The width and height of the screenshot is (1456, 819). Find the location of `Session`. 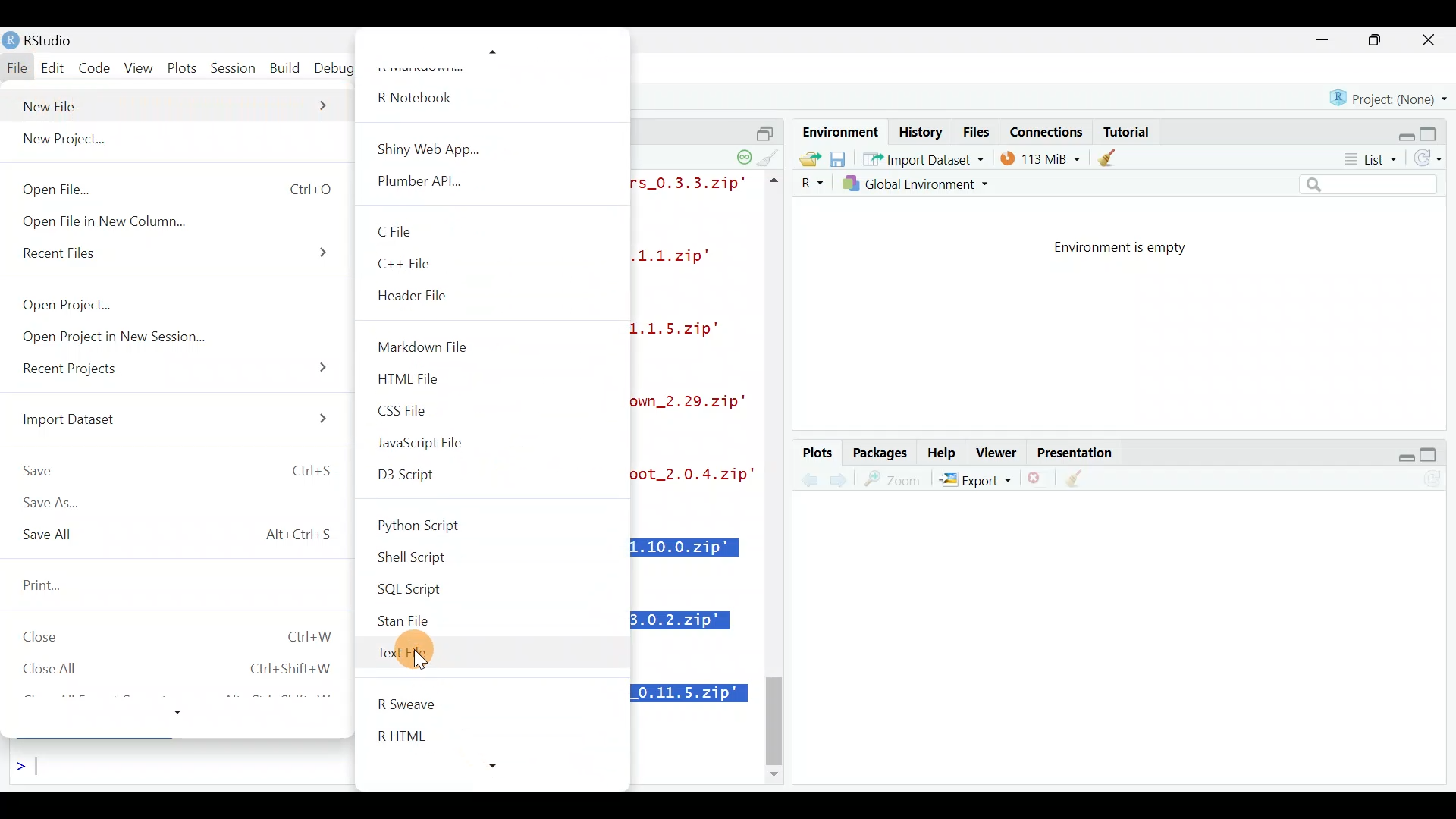

Session is located at coordinates (236, 67).